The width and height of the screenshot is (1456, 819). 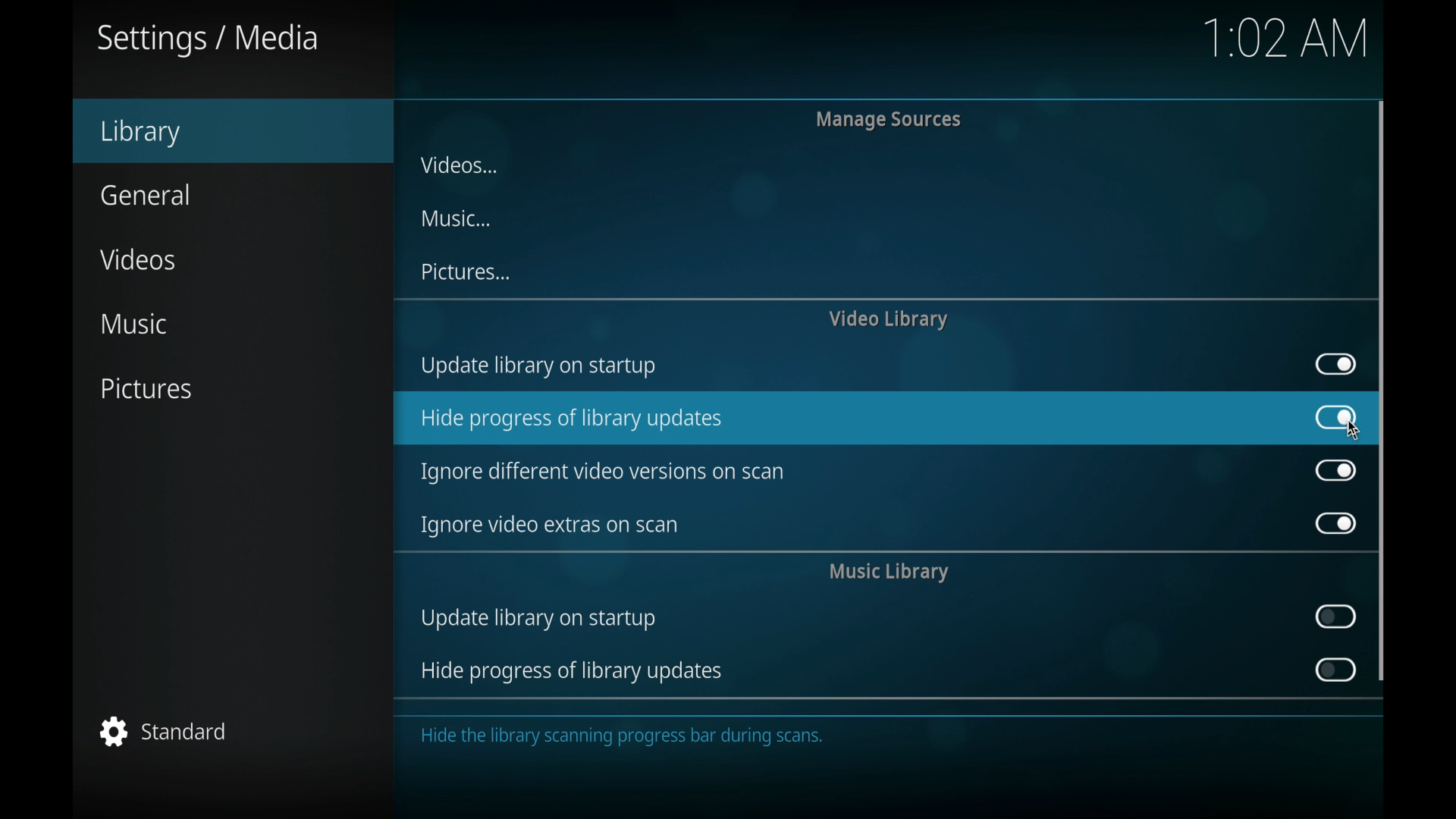 I want to click on update library on startup, so click(x=538, y=367).